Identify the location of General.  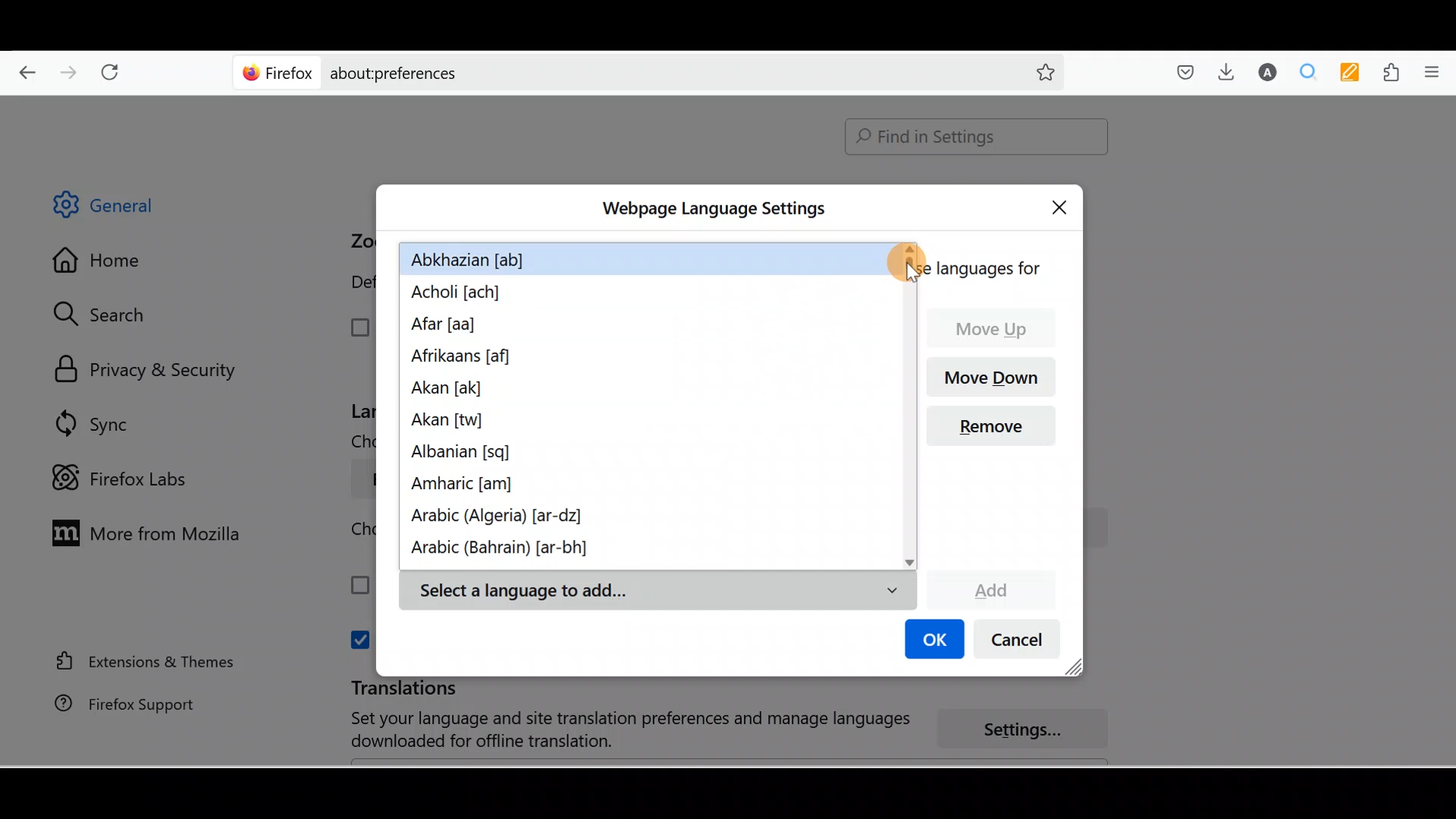
(117, 208).